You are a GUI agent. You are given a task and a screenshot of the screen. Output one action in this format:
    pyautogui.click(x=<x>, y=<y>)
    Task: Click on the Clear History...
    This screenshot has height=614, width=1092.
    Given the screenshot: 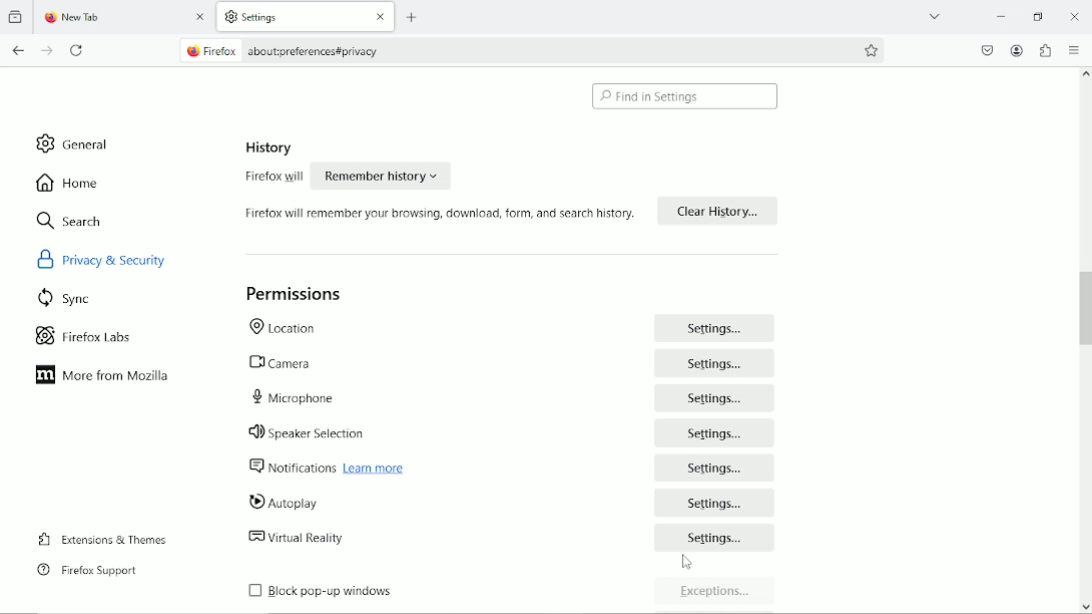 What is the action you would take?
    pyautogui.click(x=718, y=210)
    